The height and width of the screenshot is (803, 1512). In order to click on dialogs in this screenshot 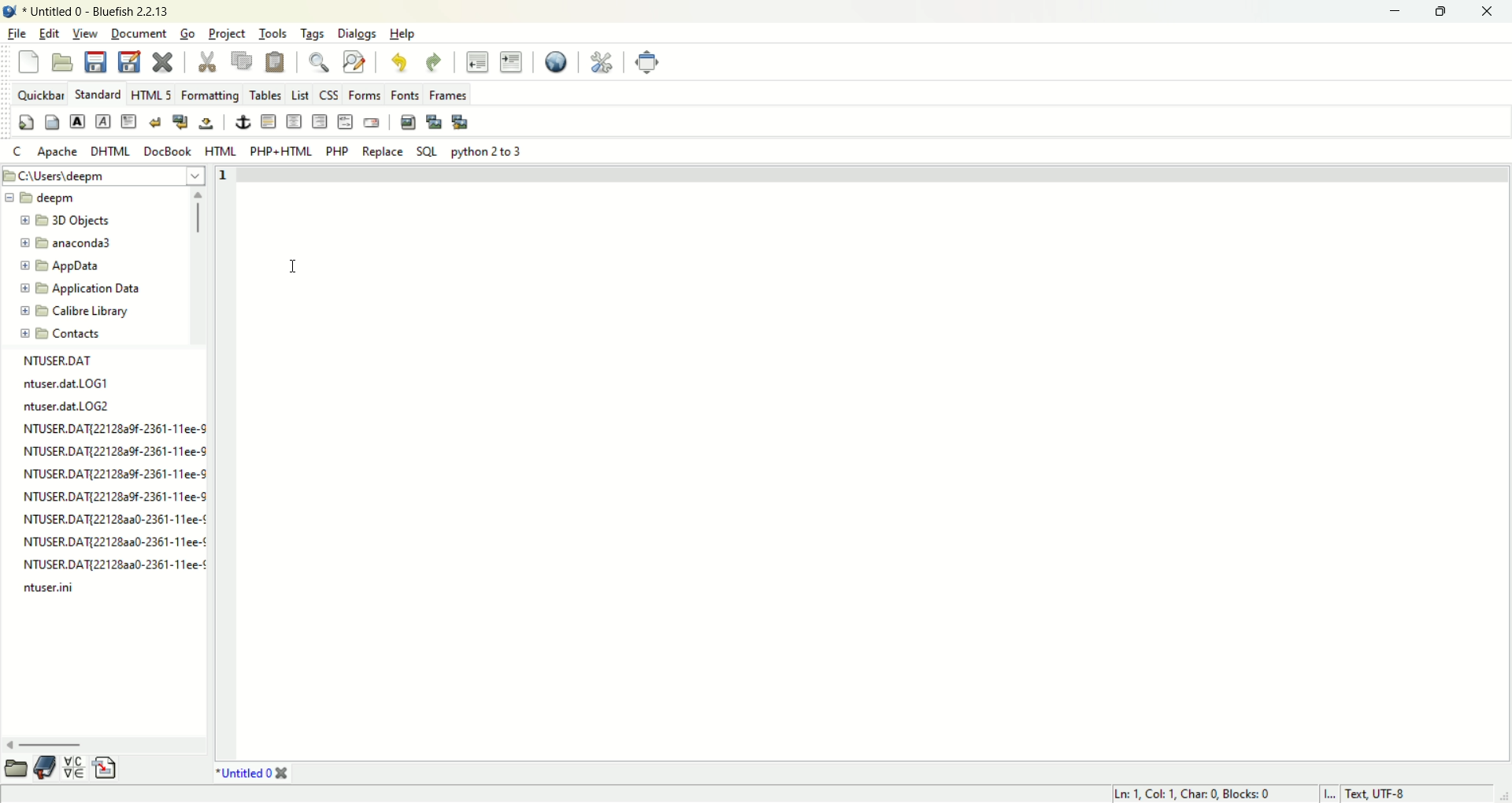, I will do `click(356, 33)`.